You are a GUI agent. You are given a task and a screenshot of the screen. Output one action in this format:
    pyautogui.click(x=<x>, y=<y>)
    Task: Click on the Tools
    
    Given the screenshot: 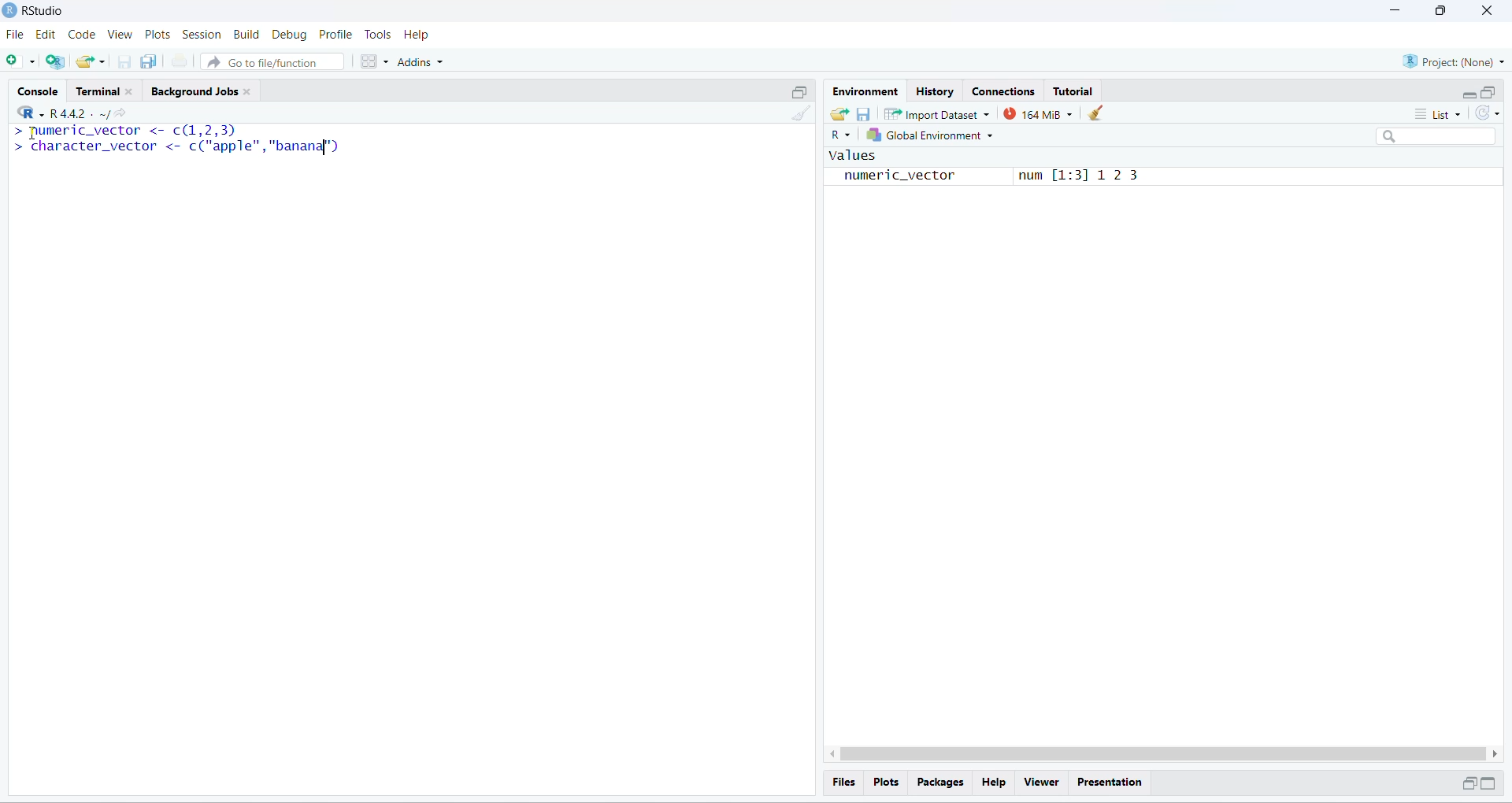 What is the action you would take?
    pyautogui.click(x=376, y=35)
    